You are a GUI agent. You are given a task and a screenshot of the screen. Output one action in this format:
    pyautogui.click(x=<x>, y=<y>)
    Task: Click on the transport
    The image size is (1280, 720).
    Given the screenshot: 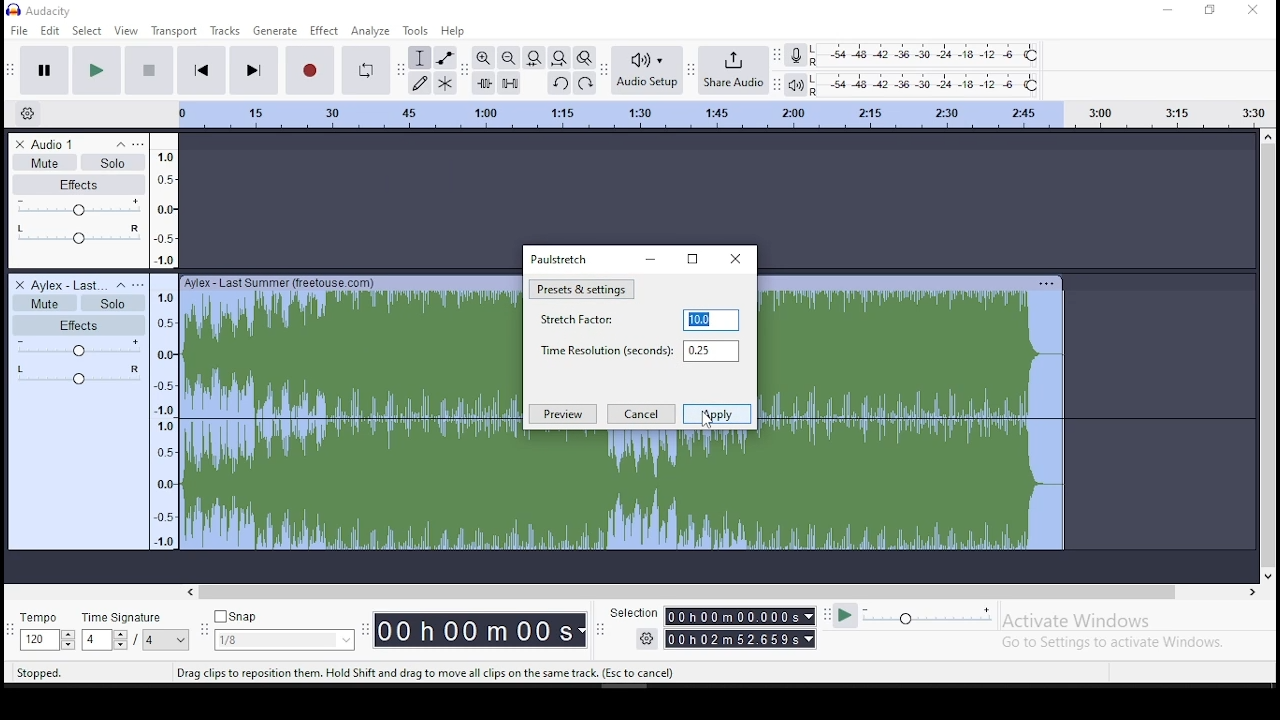 What is the action you would take?
    pyautogui.click(x=174, y=31)
    